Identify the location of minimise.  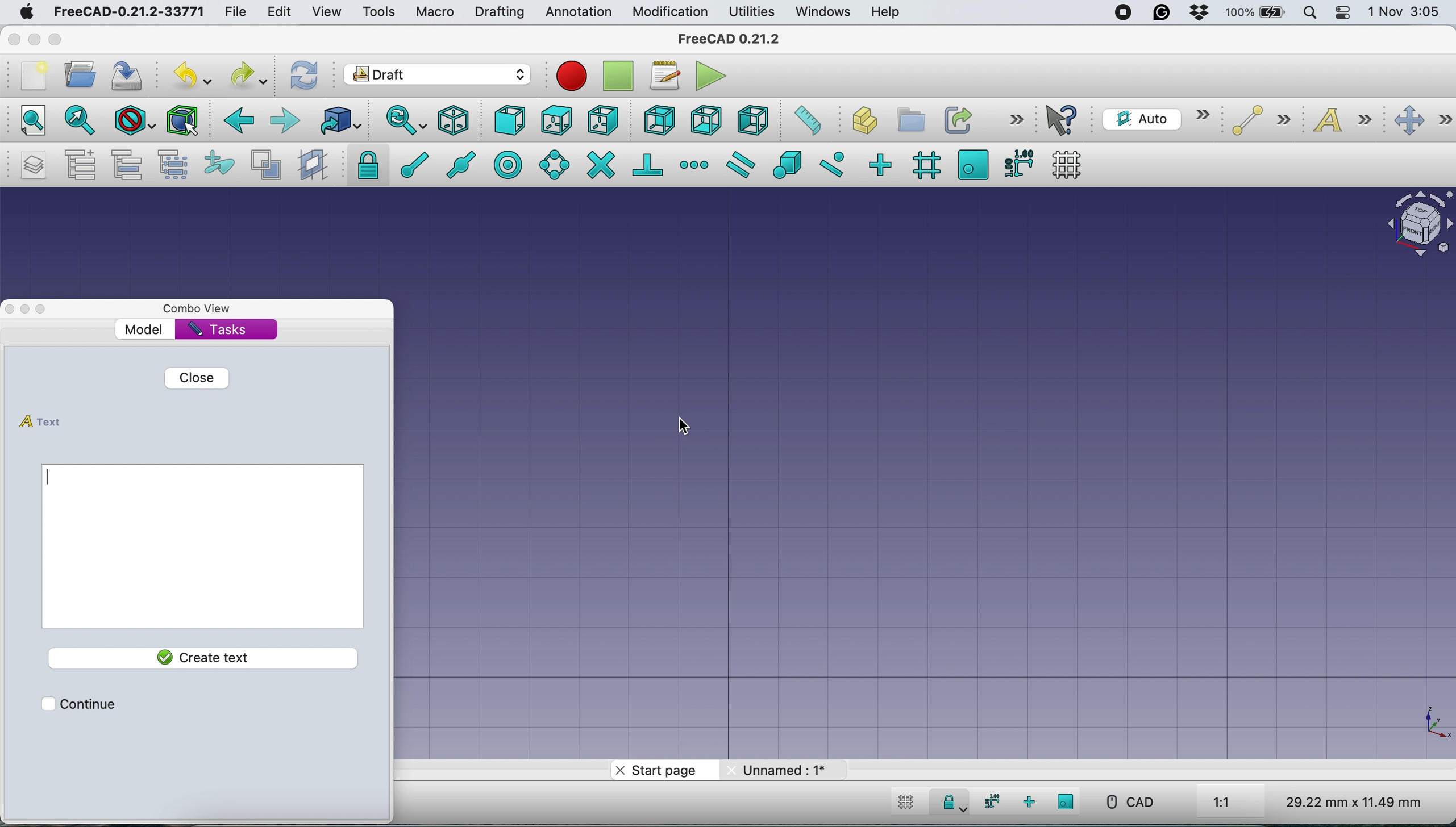
(25, 307).